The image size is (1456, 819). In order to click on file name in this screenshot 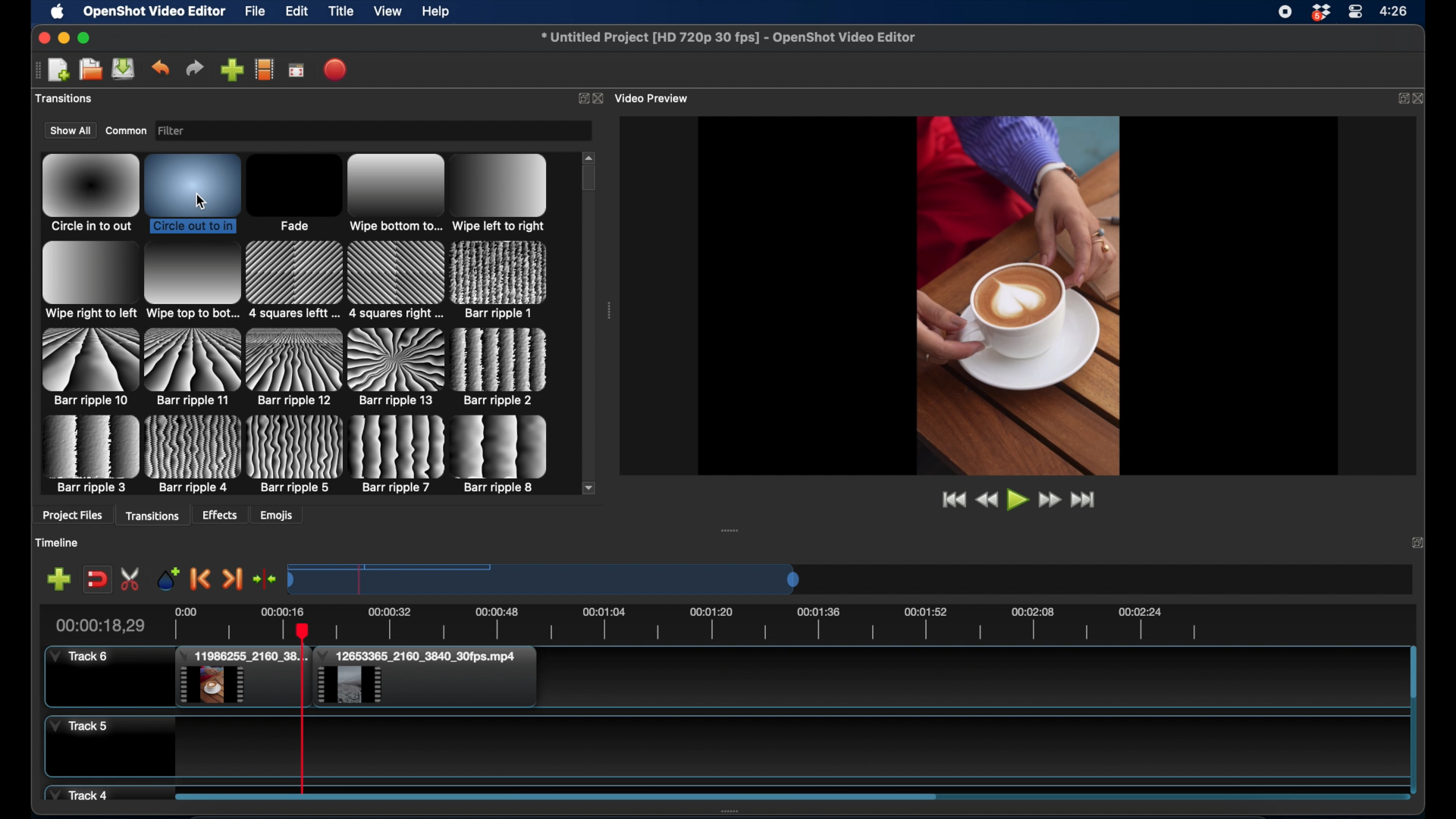, I will do `click(730, 38)`.